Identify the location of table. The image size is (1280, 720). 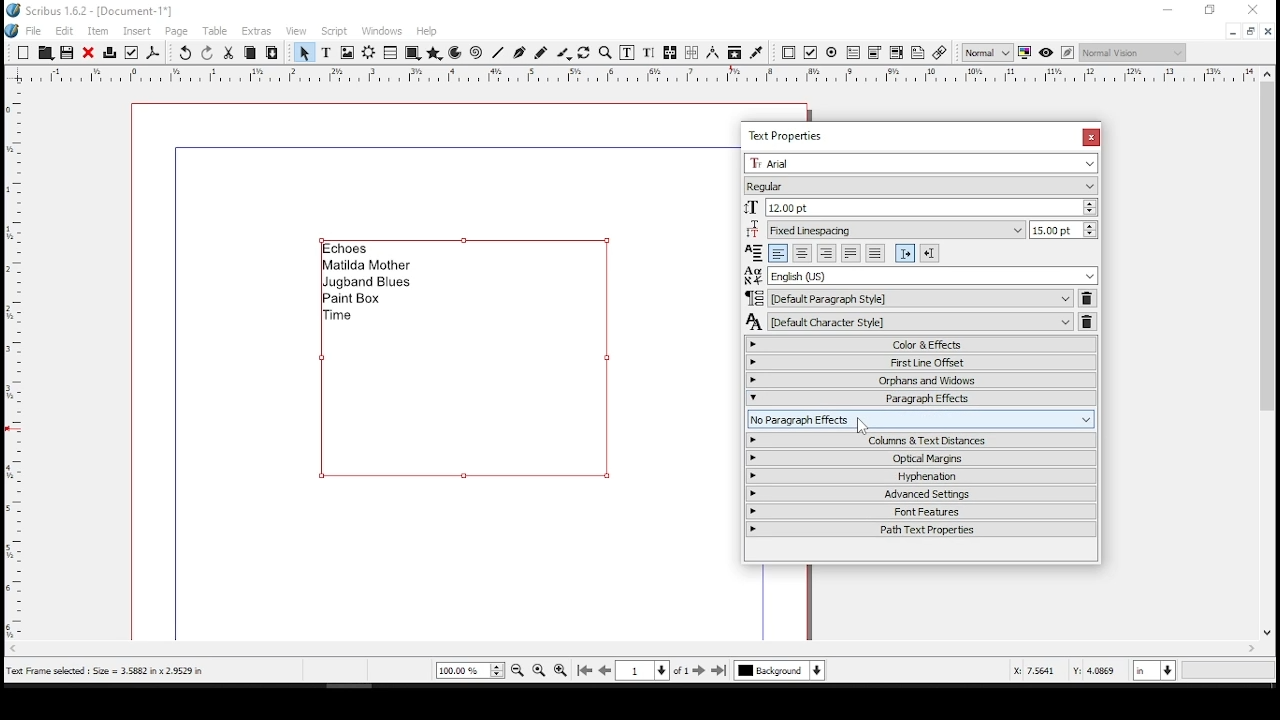
(390, 53).